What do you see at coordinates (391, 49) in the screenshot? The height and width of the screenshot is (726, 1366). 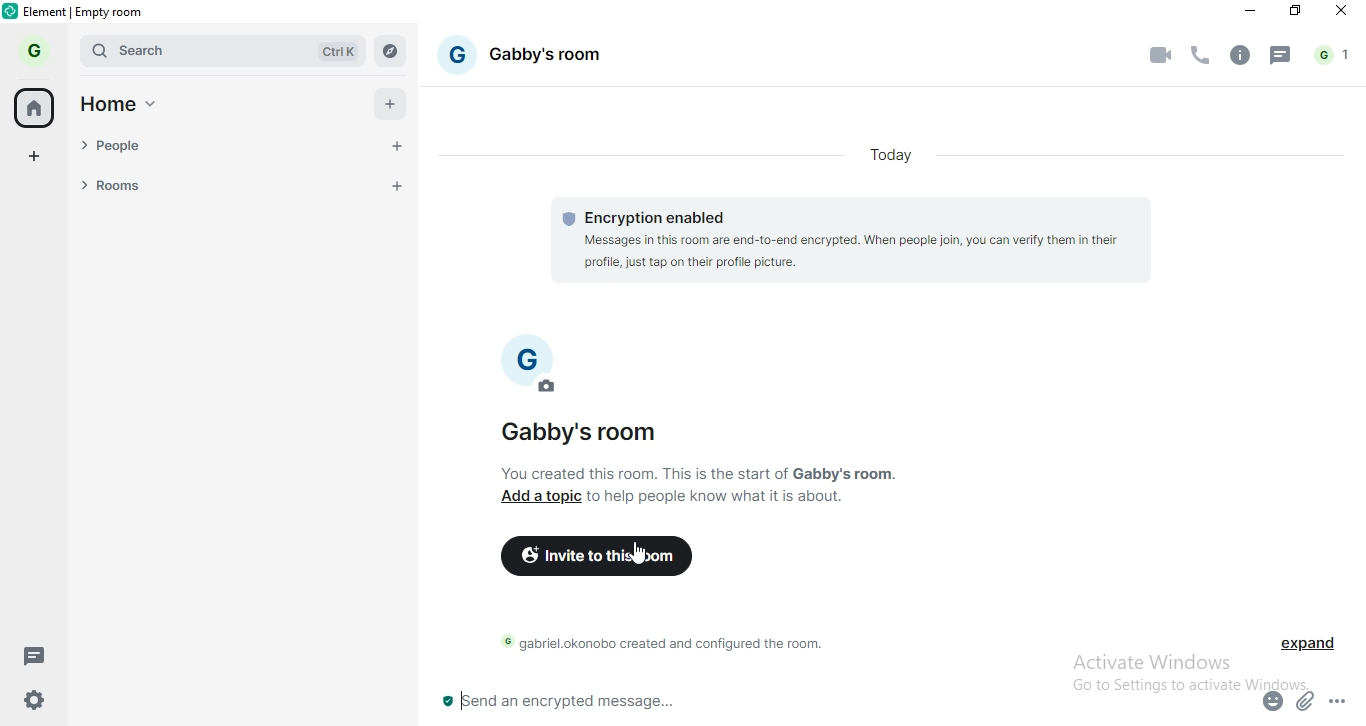 I see `Explore rooms` at bounding box center [391, 49].